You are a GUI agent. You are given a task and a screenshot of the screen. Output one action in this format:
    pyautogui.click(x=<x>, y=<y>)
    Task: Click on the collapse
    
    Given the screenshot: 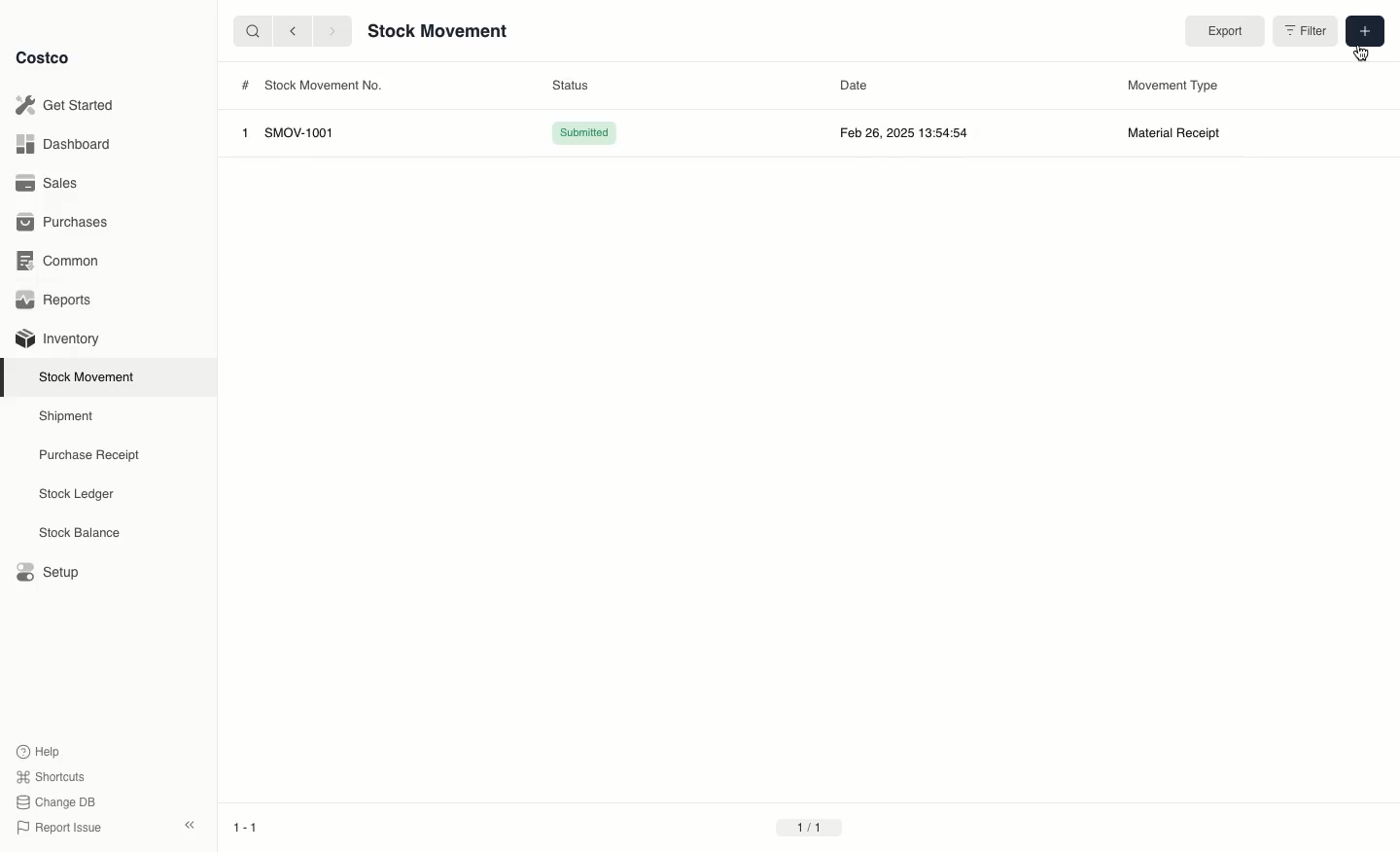 What is the action you would take?
    pyautogui.click(x=189, y=824)
    